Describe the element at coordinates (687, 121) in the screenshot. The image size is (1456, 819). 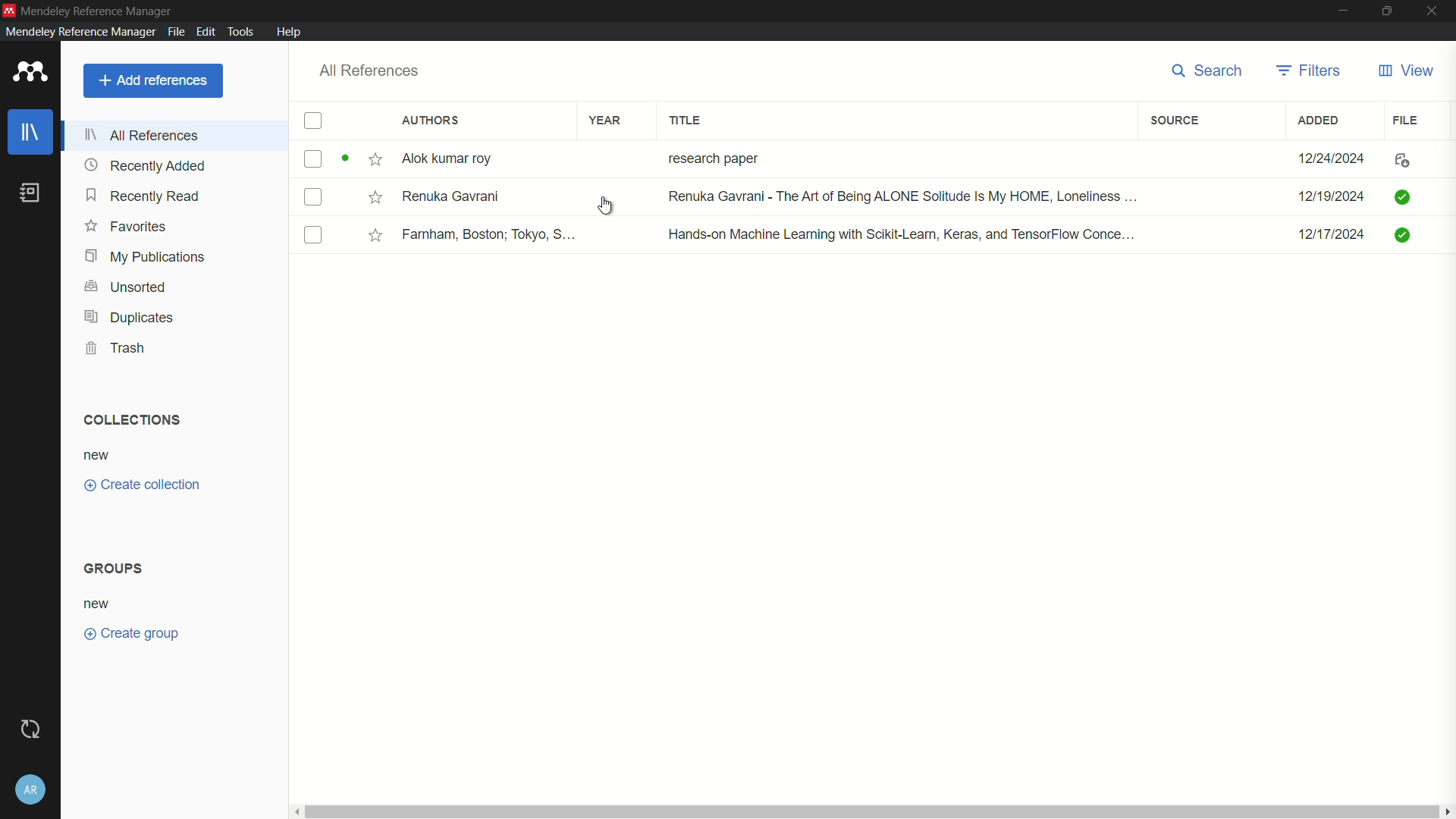
I see `title` at that location.